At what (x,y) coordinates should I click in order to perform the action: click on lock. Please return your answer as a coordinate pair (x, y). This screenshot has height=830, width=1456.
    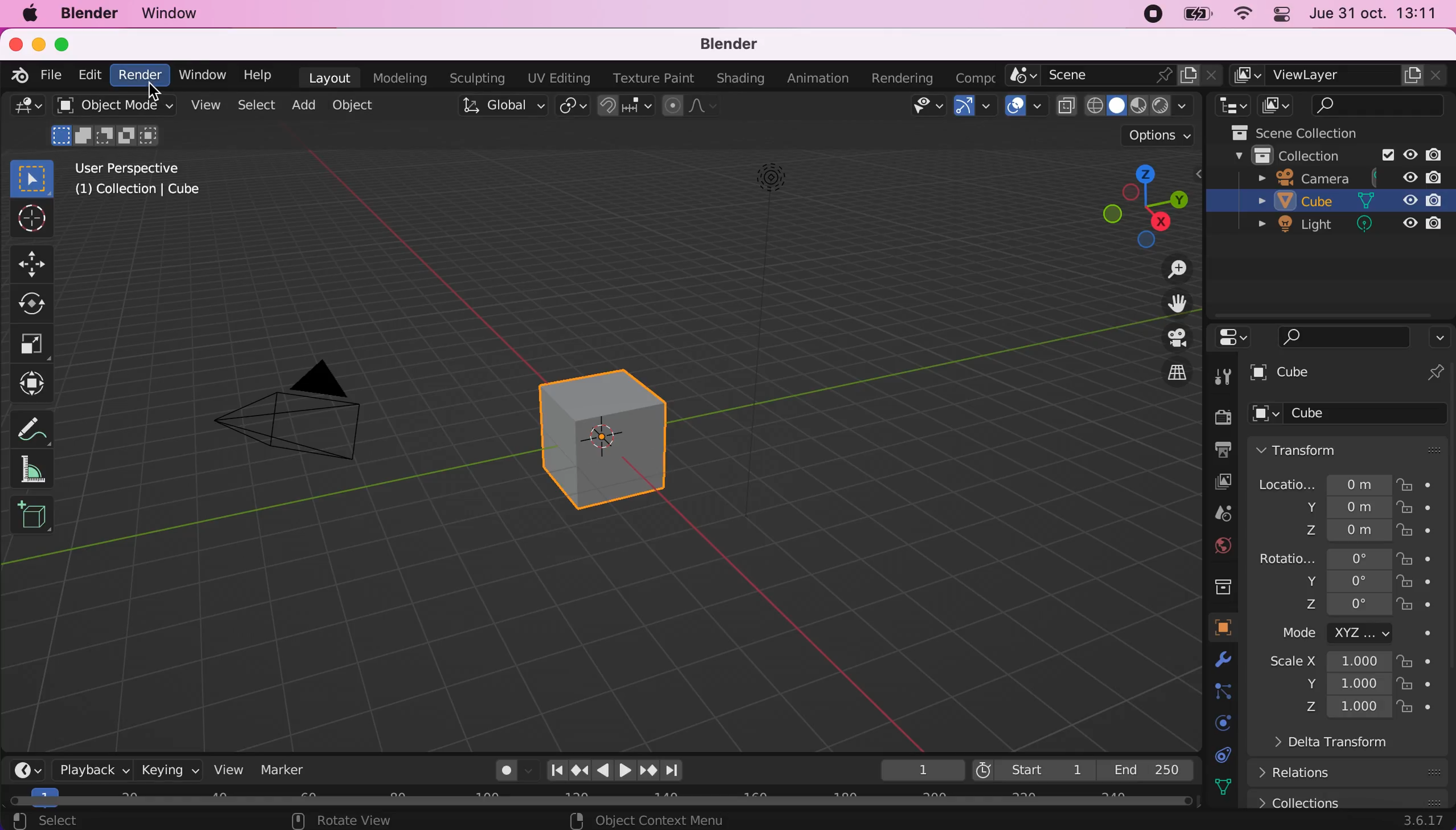
    Looking at the image, I should click on (1421, 483).